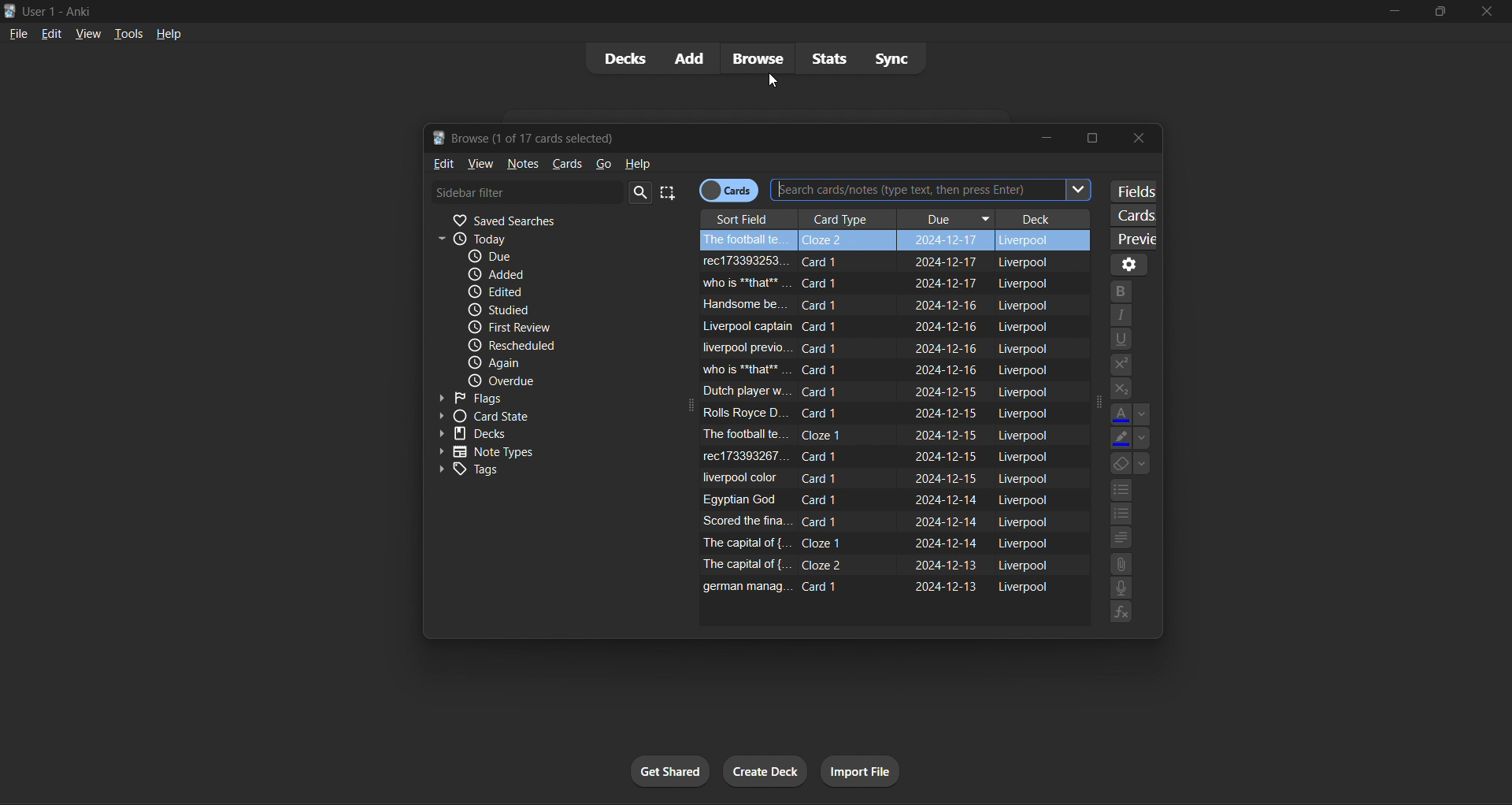 This screenshot has height=805, width=1512. Describe the element at coordinates (52, 35) in the screenshot. I see `edit` at that location.